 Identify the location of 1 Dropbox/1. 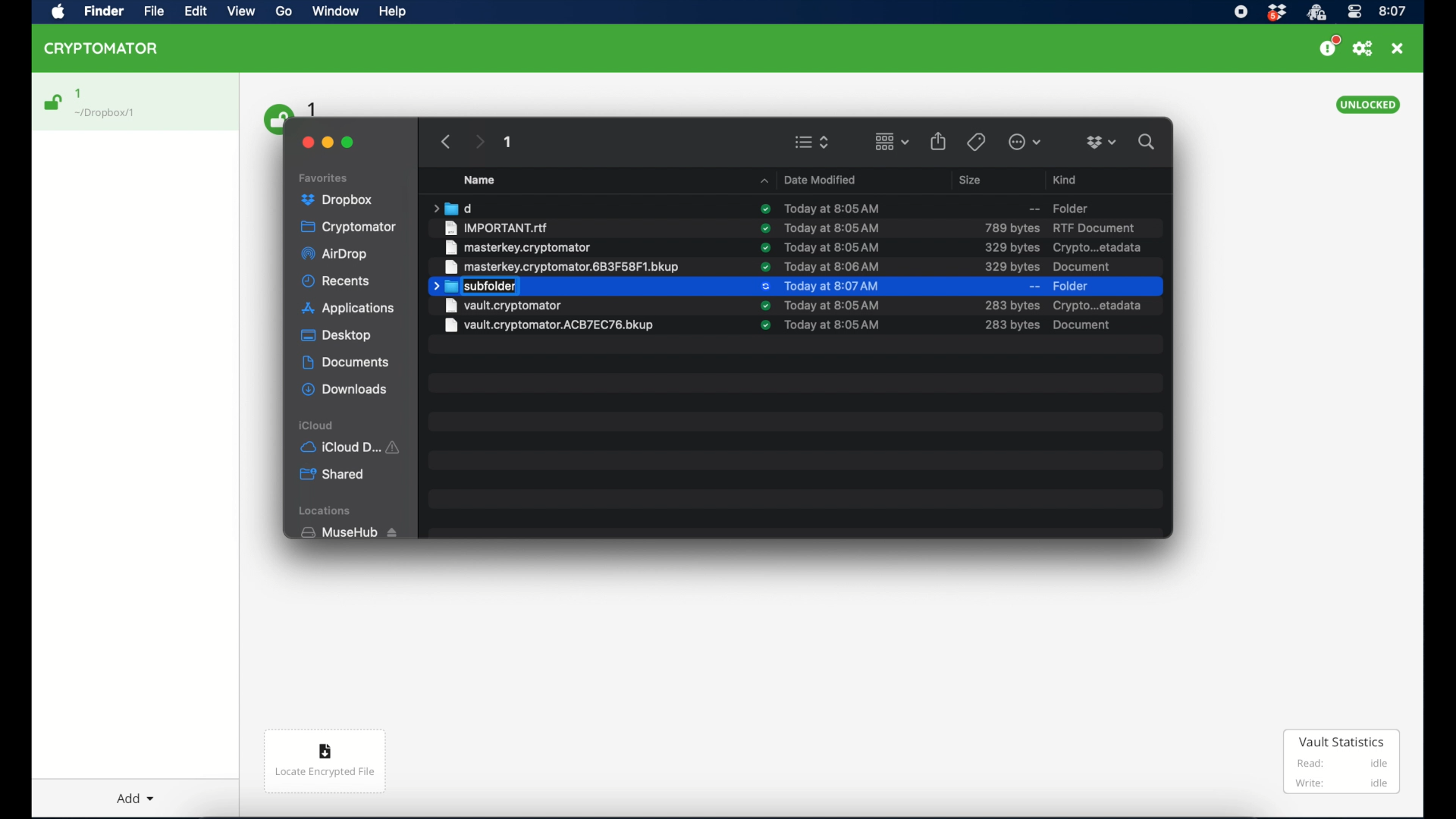
(115, 104).